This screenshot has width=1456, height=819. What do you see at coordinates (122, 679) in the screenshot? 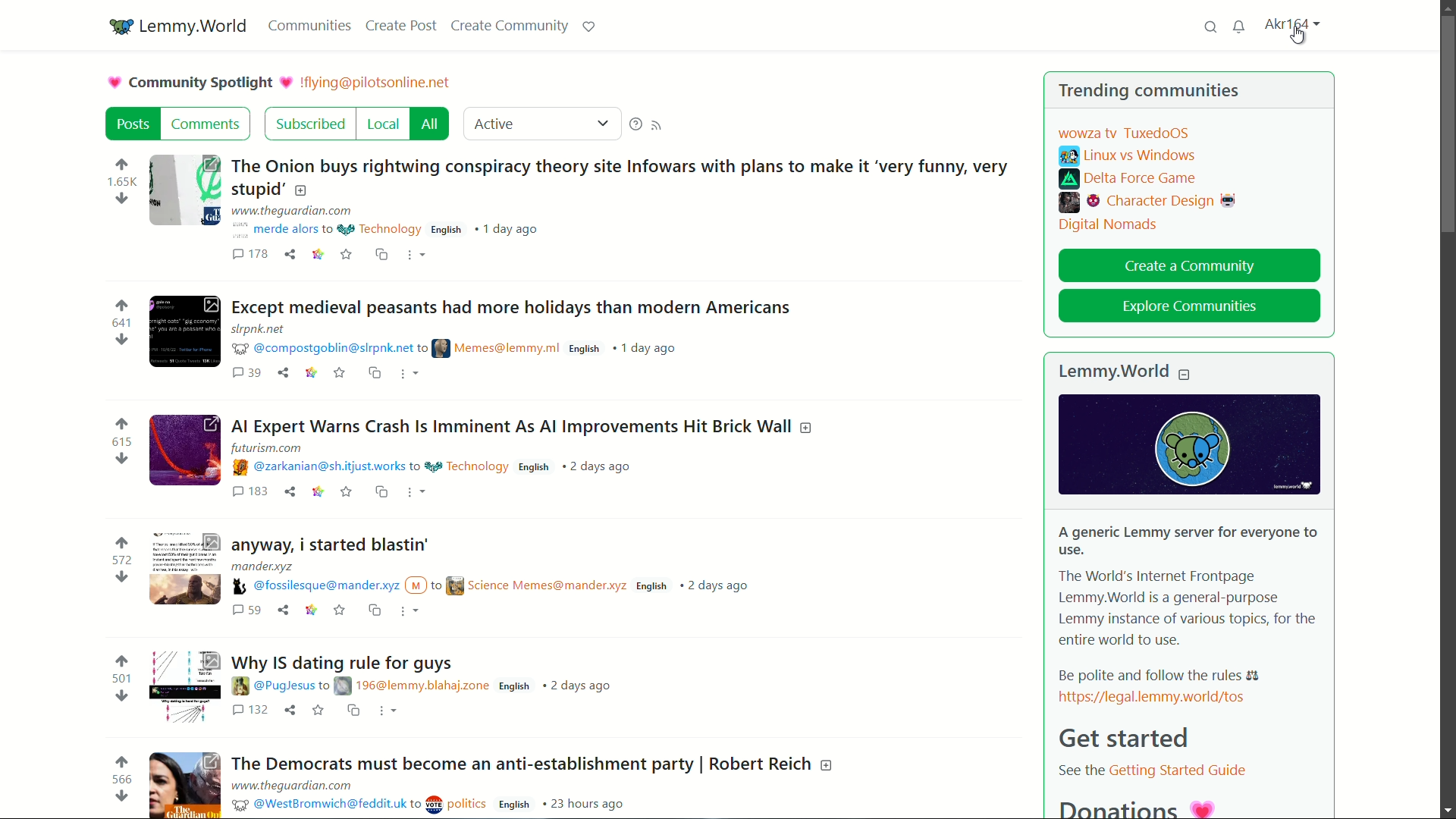
I see `number of votes` at bounding box center [122, 679].